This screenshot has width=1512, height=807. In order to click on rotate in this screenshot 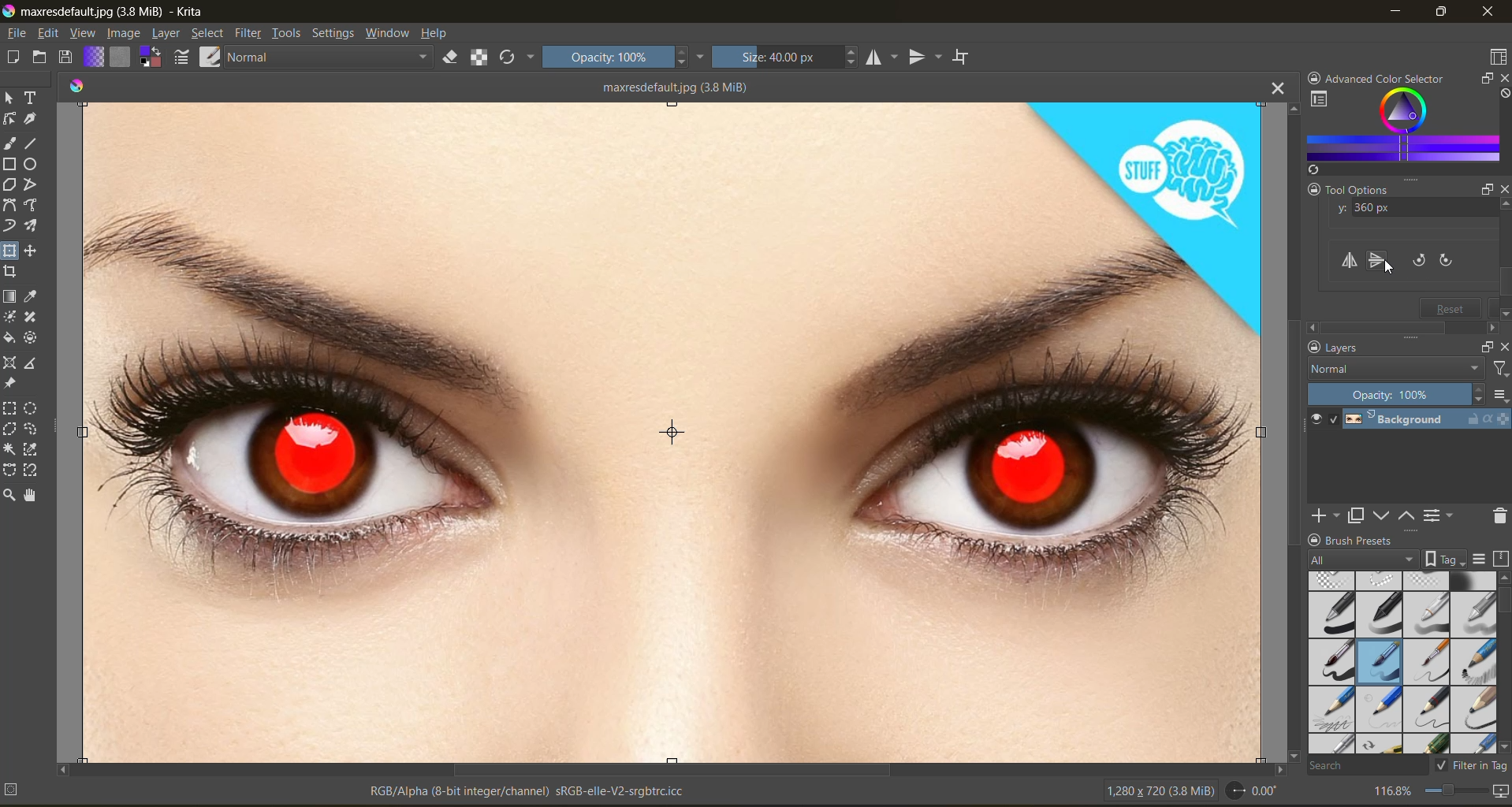, I will do `click(1253, 791)`.